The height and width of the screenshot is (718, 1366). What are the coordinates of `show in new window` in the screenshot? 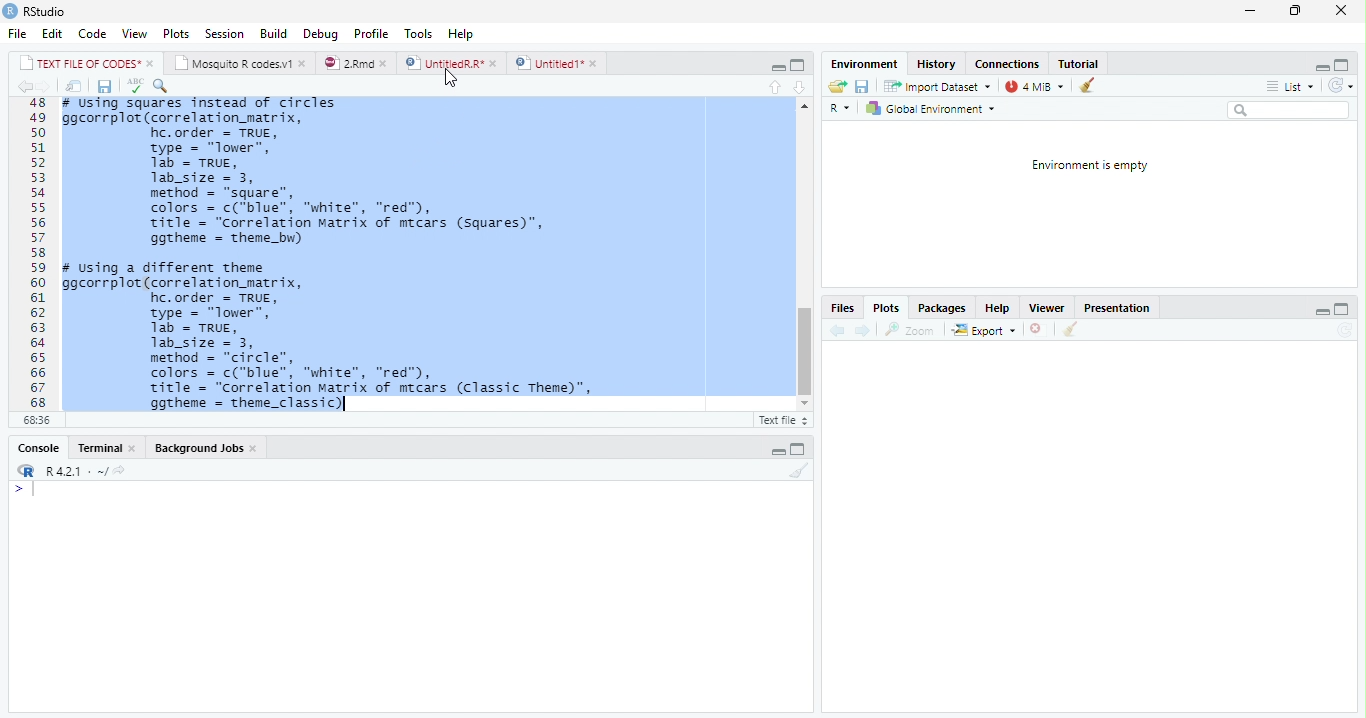 It's located at (74, 86).